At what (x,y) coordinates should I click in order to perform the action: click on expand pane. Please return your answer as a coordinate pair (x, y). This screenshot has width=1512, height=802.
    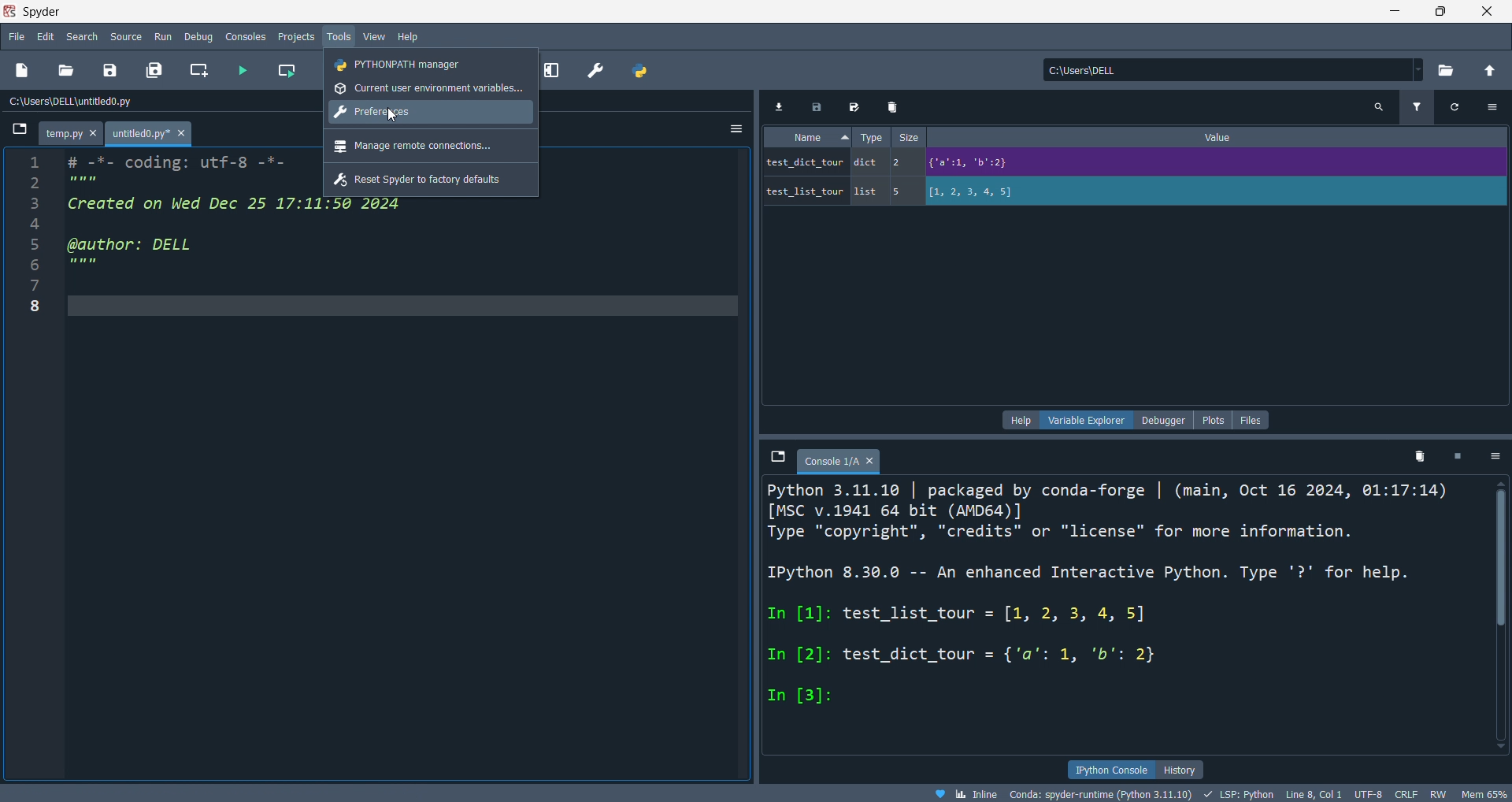
    Looking at the image, I should click on (559, 71).